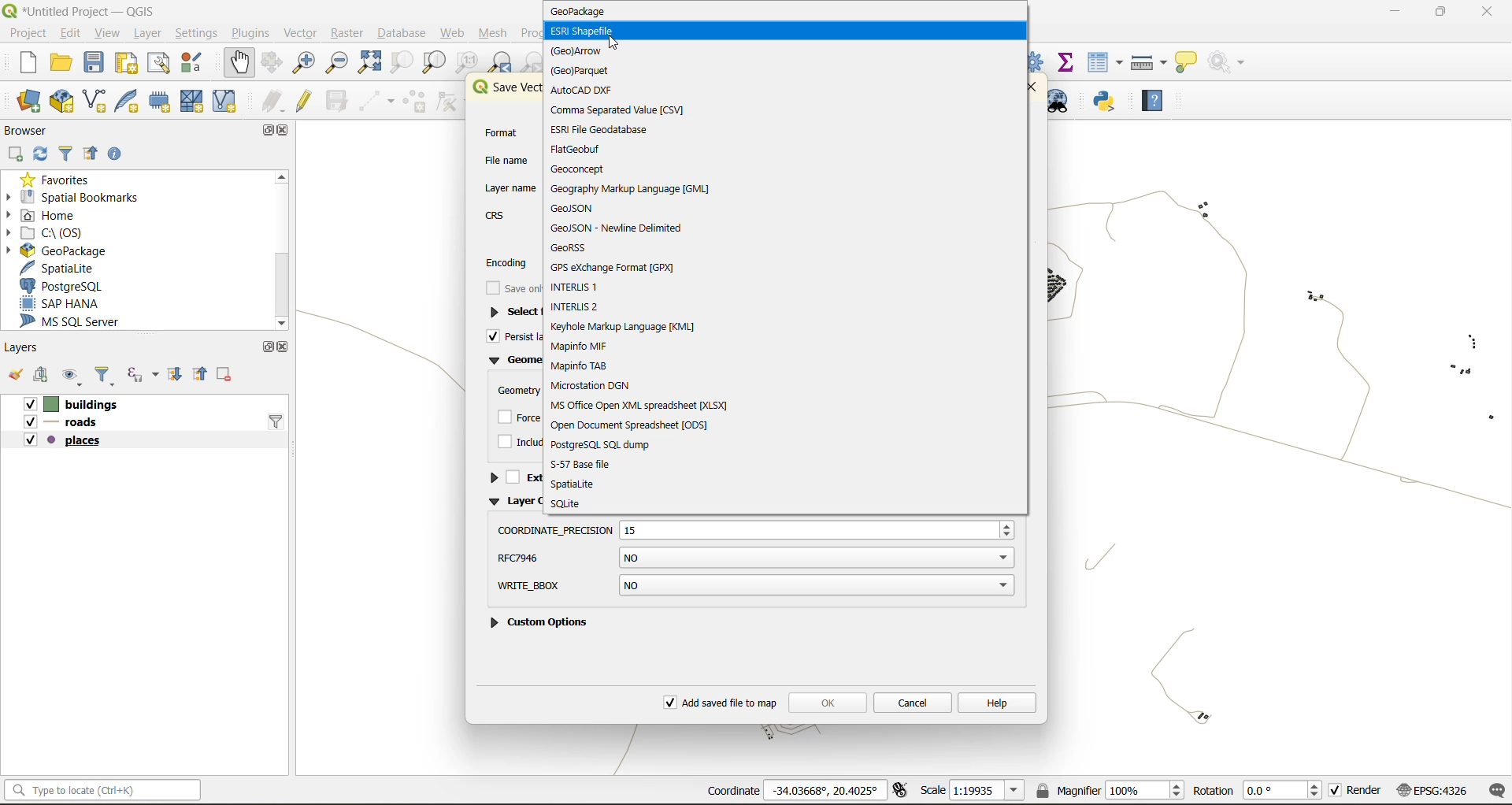  Describe the element at coordinates (1484, 13) in the screenshot. I see `close` at that location.